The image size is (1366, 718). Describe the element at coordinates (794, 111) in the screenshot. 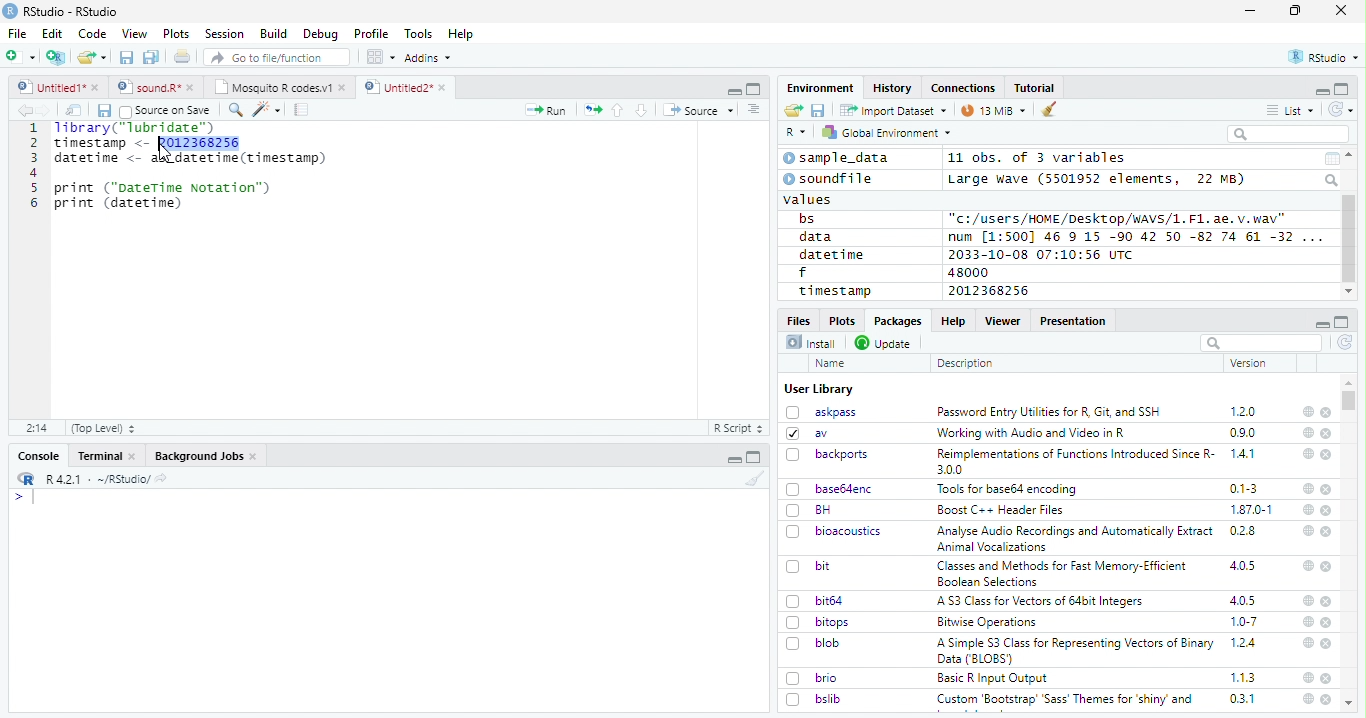

I see `Load workspace` at that location.